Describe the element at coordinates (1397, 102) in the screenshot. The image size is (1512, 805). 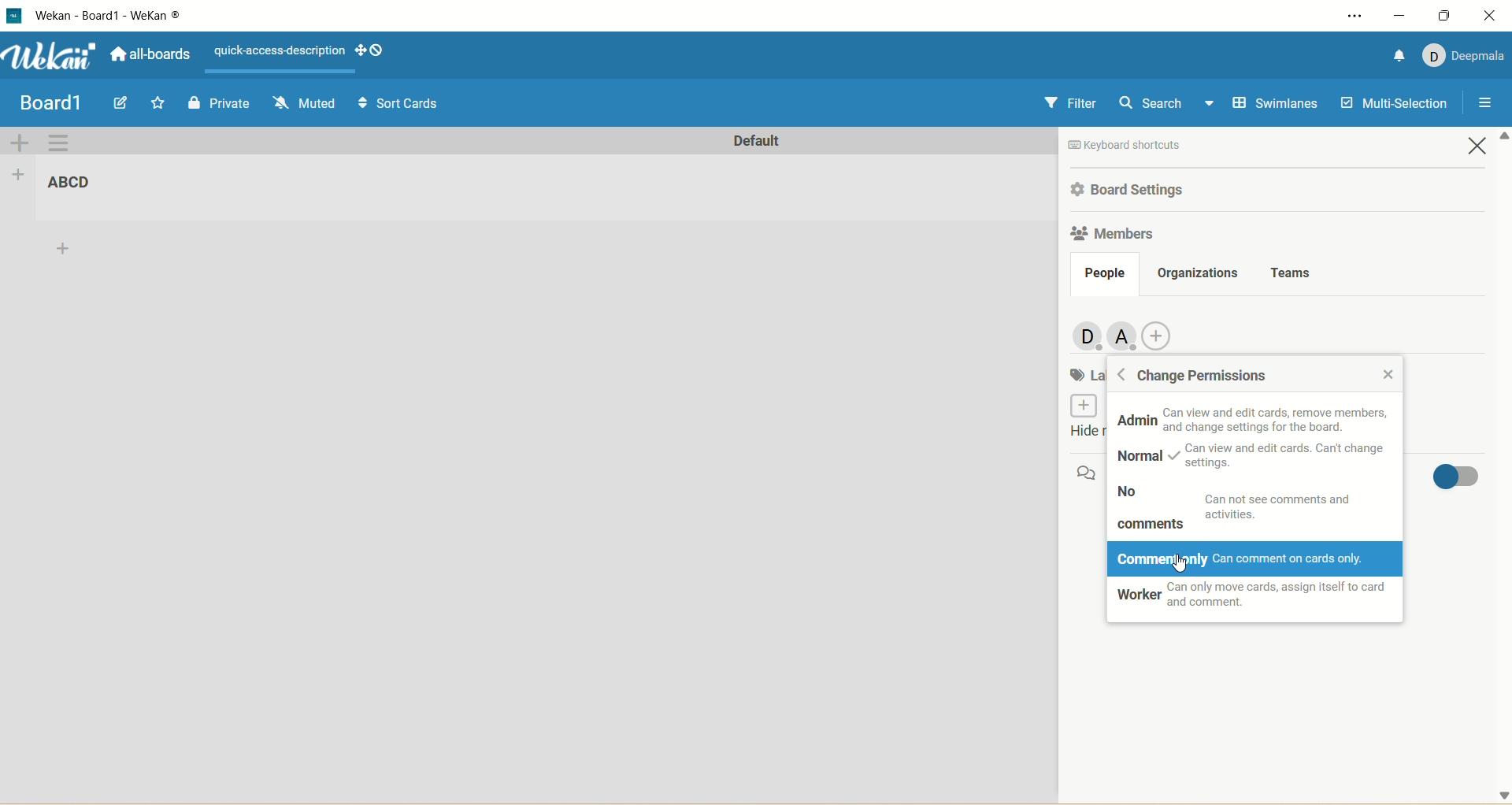
I see `multi selection` at that location.